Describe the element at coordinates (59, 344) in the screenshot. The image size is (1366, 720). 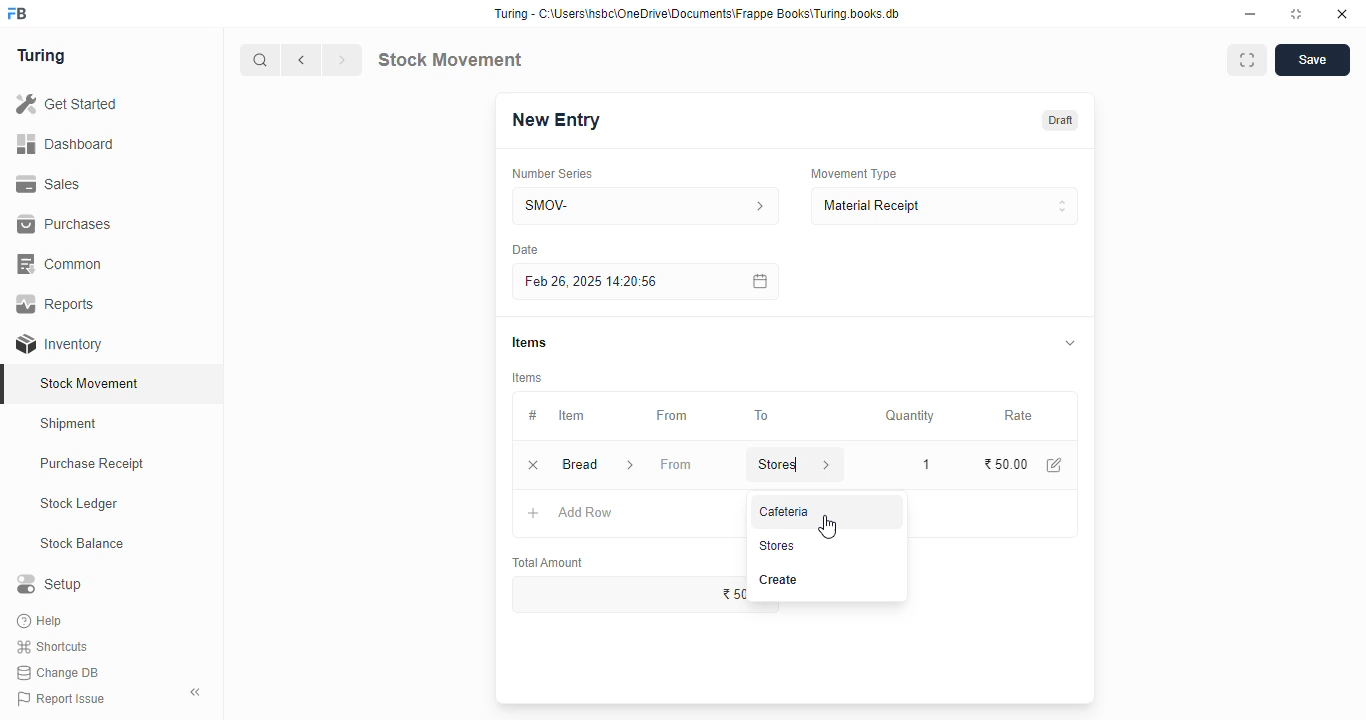
I see `inventory` at that location.